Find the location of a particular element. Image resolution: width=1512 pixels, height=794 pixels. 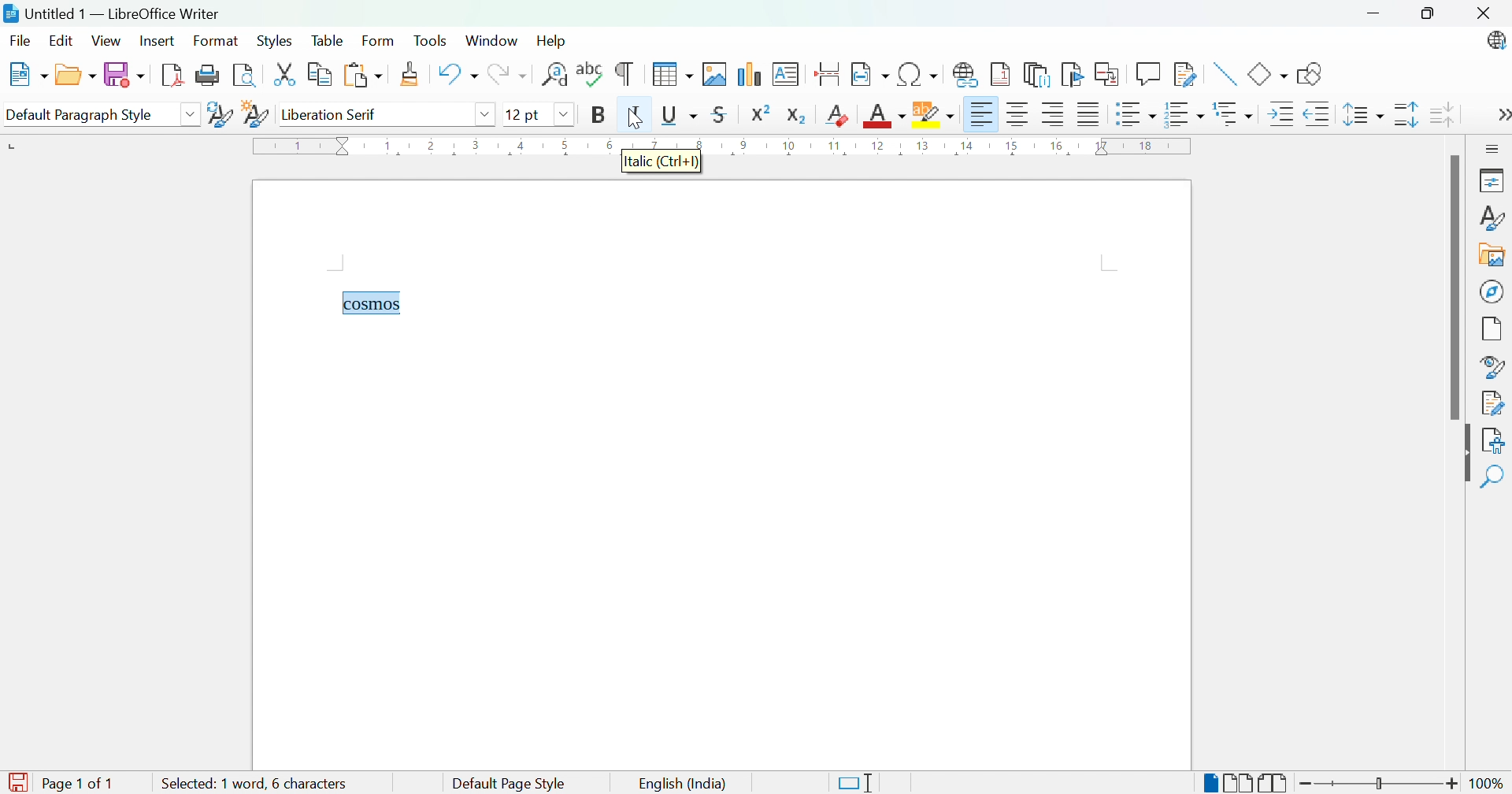

Align right is located at coordinates (1057, 116).